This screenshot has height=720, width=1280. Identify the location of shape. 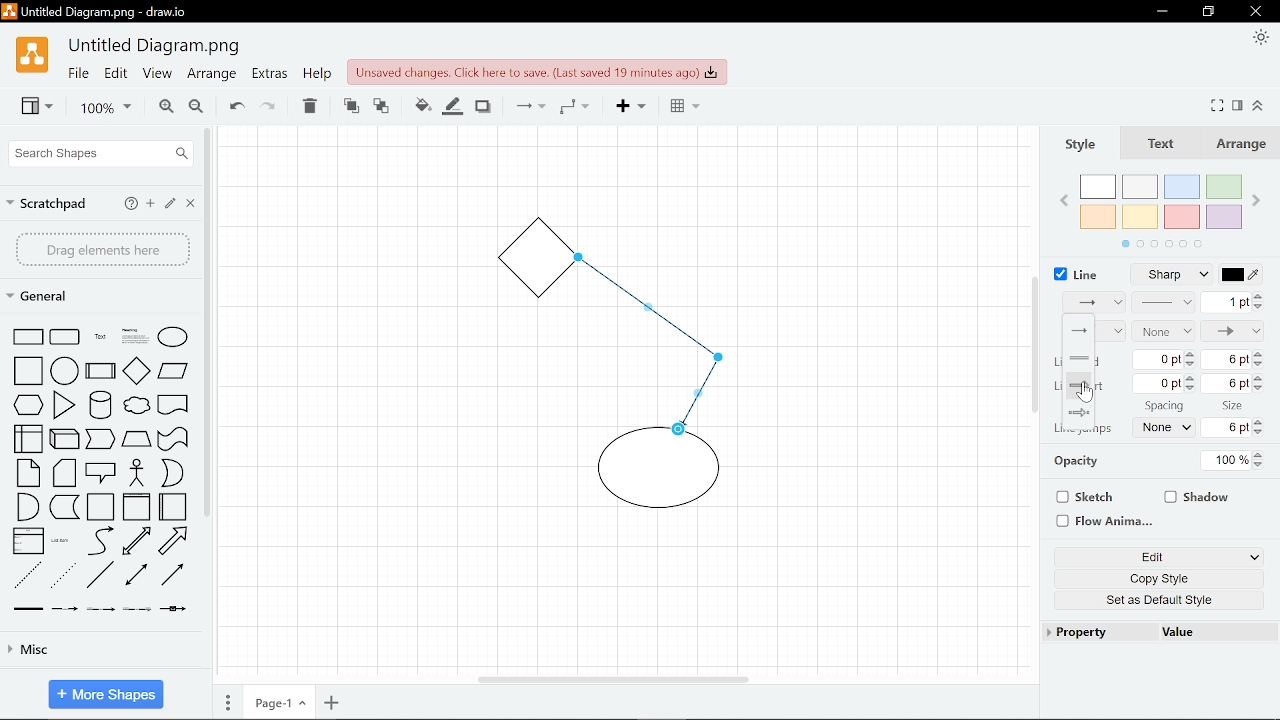
(63, 542).